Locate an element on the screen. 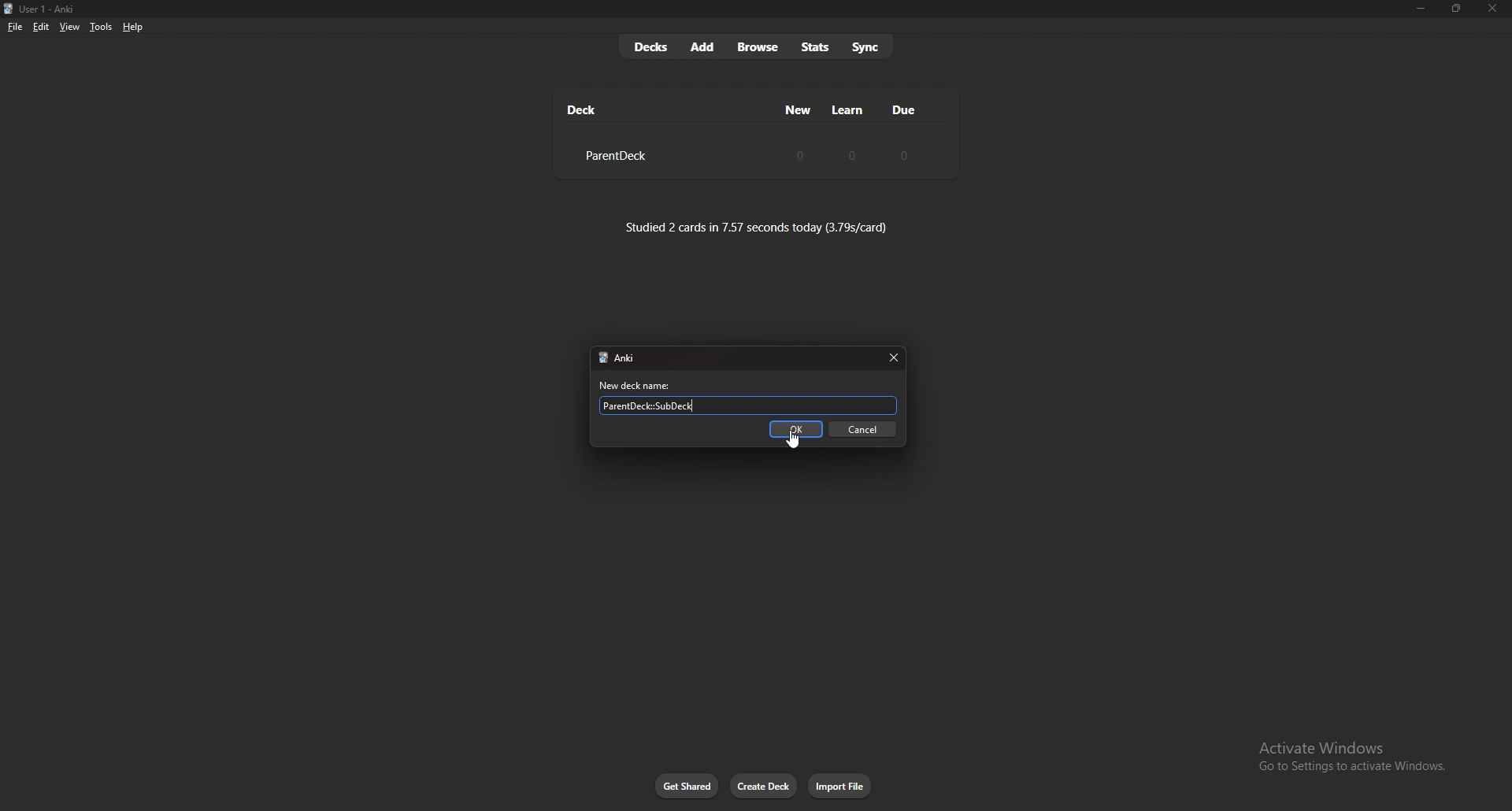  Maximize/resize is located at coordinates (1455, 9).